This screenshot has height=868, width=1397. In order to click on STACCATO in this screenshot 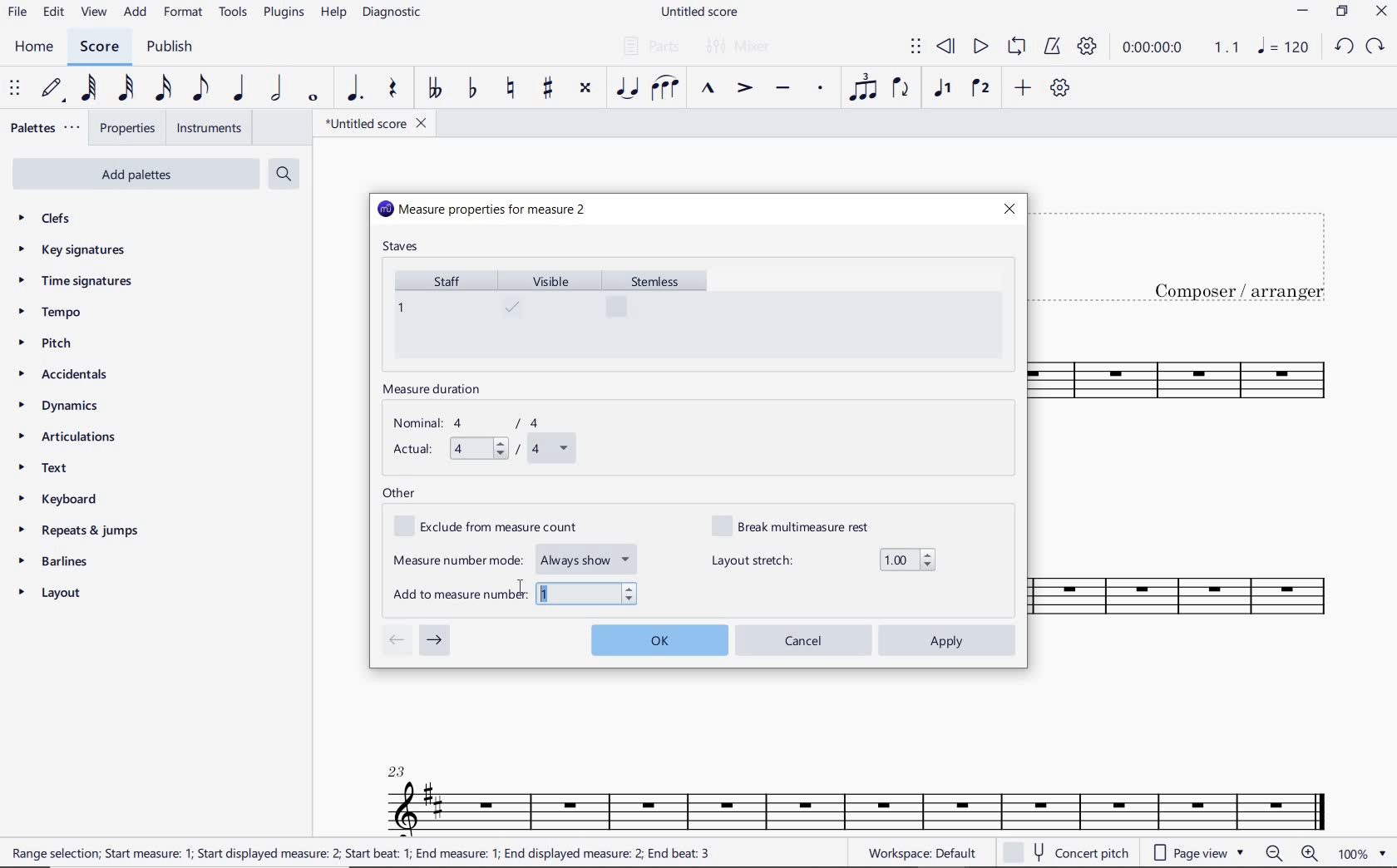, I will do `click(820, 89)`.